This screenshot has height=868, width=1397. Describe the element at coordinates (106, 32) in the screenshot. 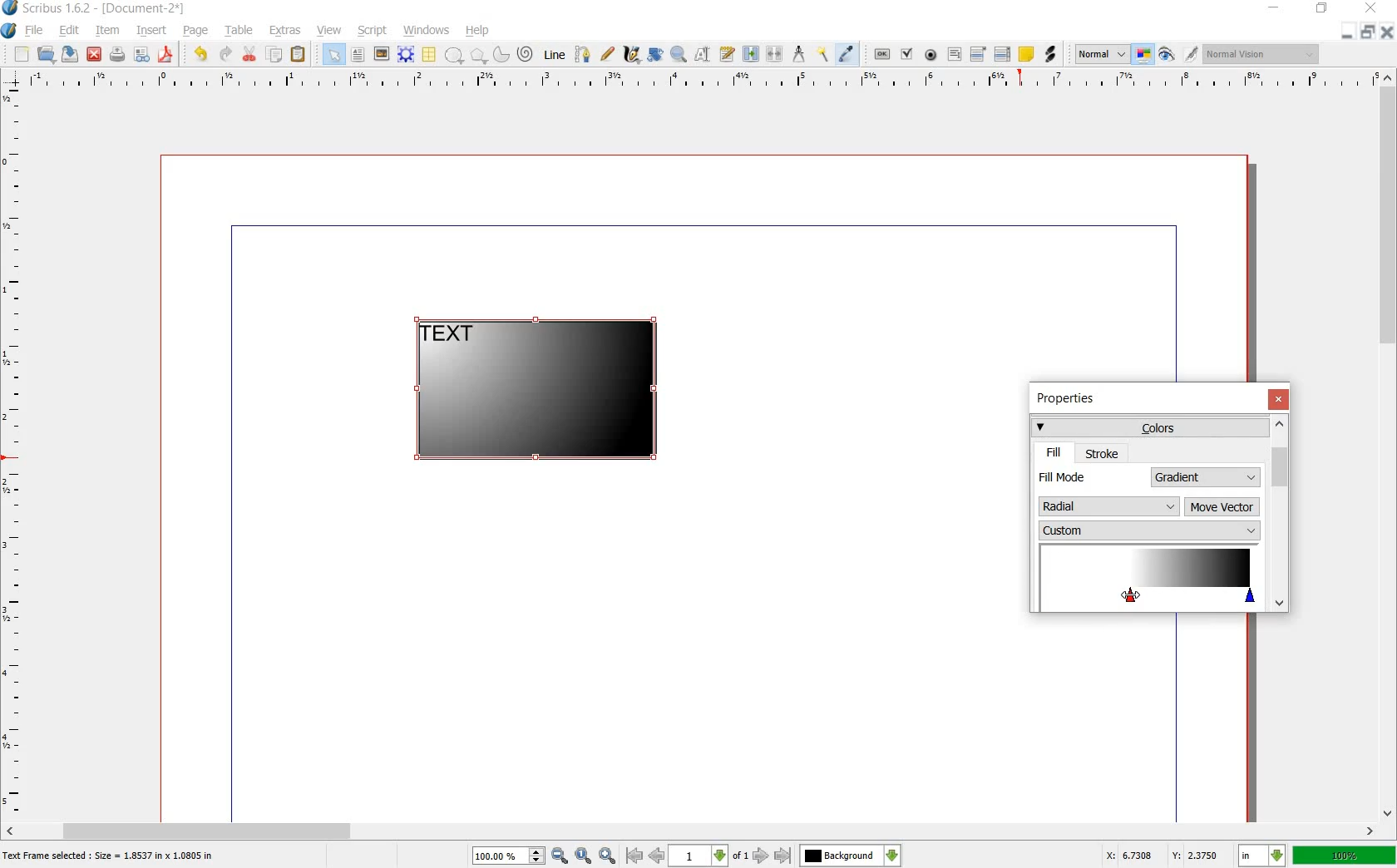

I see `item` at that location.